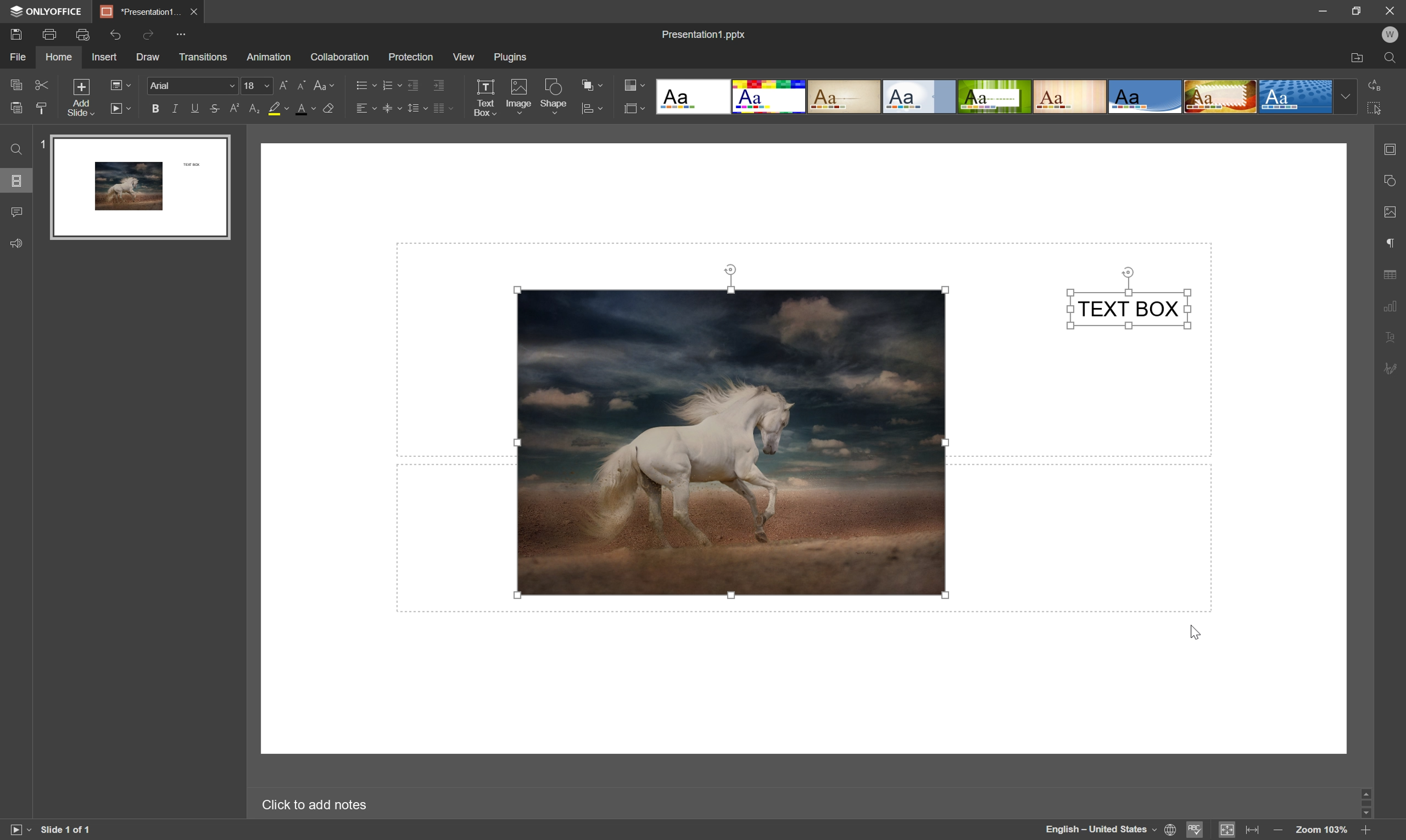 This screenshot has width=1406, height=840. What do you see at coordinates (307, 109) in the screenshot?
I see `font color` at bounding box center [307, 109].